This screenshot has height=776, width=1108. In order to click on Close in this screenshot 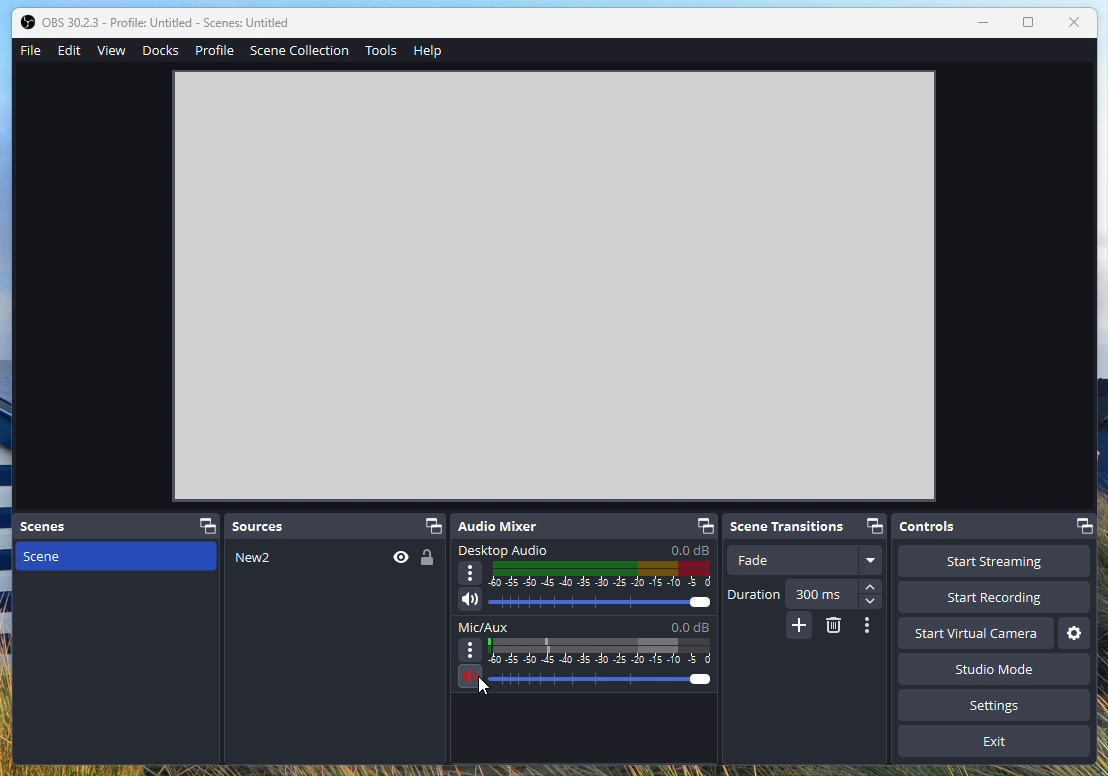, I will do `click(1075, 24)`.